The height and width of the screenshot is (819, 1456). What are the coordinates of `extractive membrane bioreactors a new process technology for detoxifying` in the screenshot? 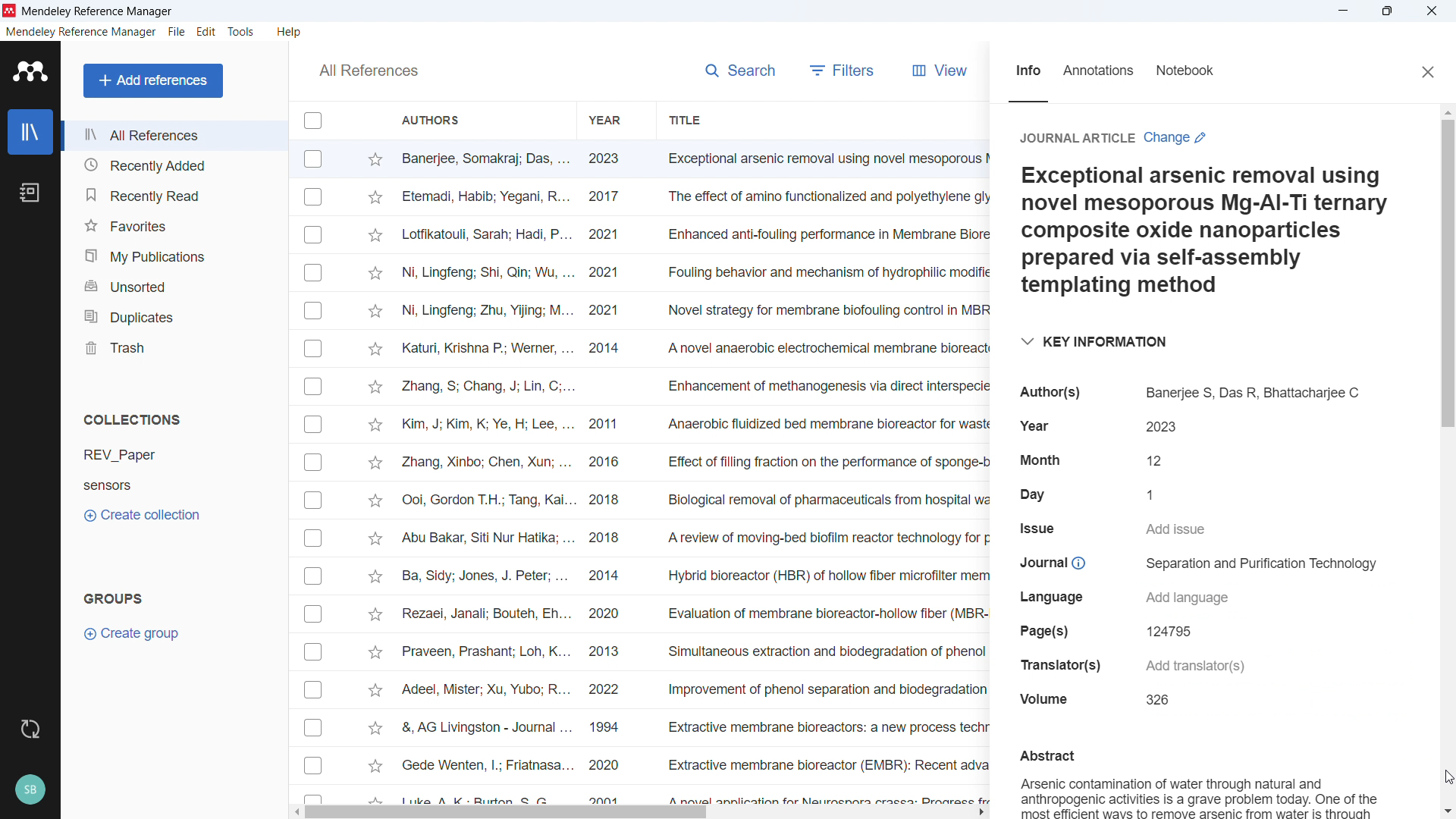 It's located at (825, 729).